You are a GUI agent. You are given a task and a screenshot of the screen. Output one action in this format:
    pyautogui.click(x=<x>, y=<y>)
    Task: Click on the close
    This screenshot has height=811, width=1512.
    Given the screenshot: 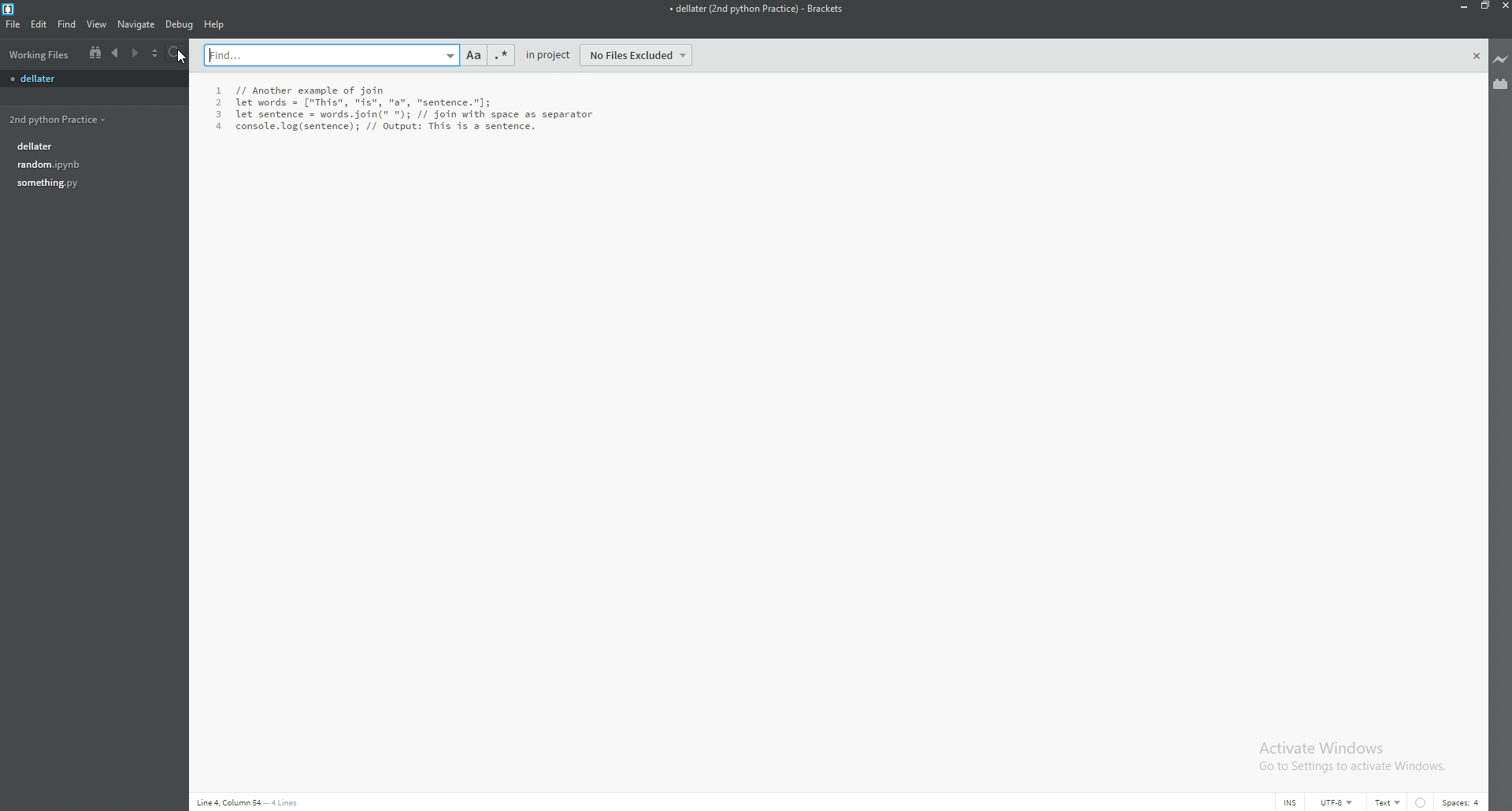 What is the action you would take?
    pyautogui.click(x=1503, y=6)
    